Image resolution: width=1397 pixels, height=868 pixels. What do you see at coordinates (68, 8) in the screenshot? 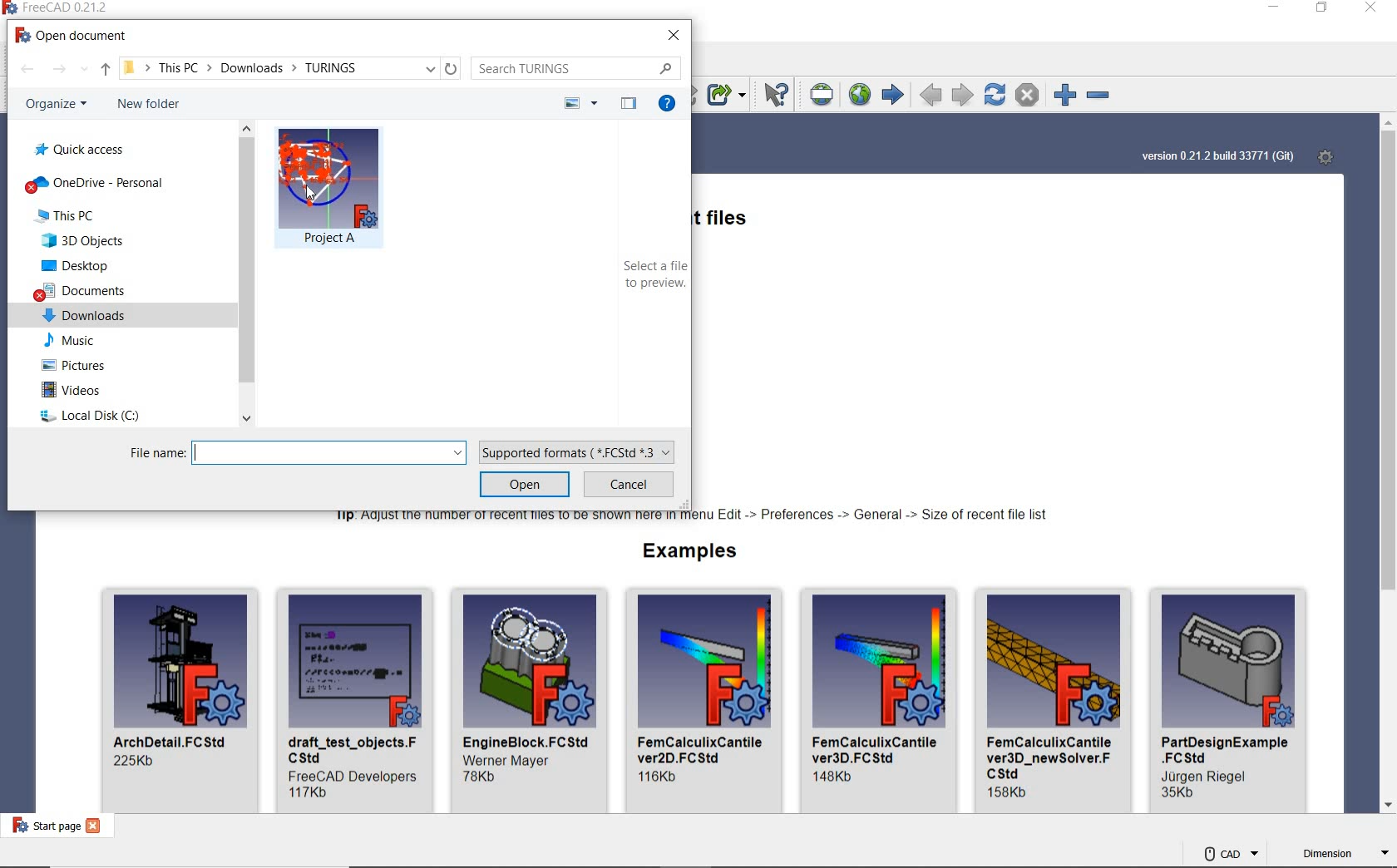
I see `SYSTEM NAME` at bounding box center [68, 8].